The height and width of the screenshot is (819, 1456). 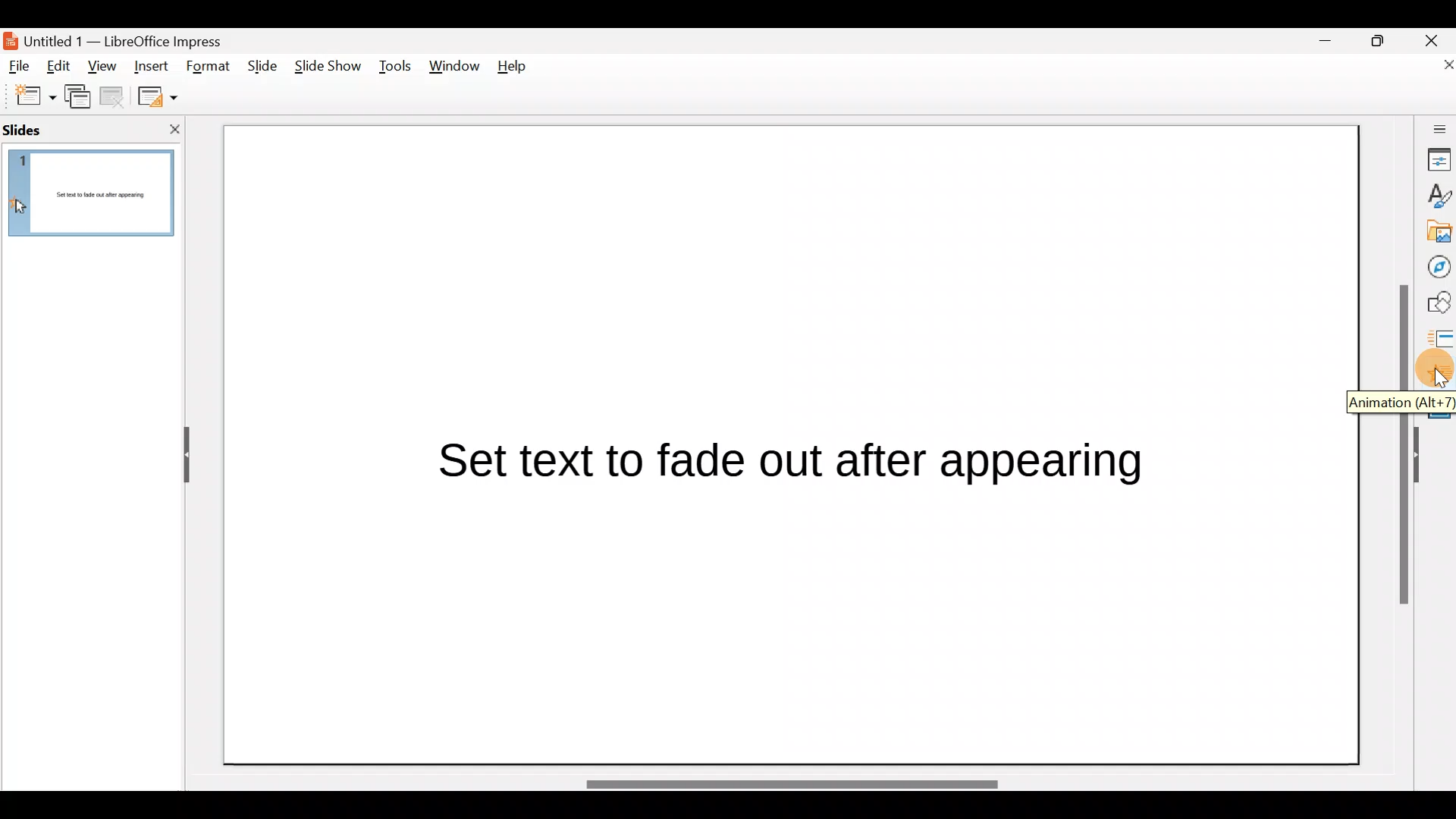 What do you see at coordinates (326, 70) in the screenshot?
I see `Slide show` at bounding box center [326, 70].